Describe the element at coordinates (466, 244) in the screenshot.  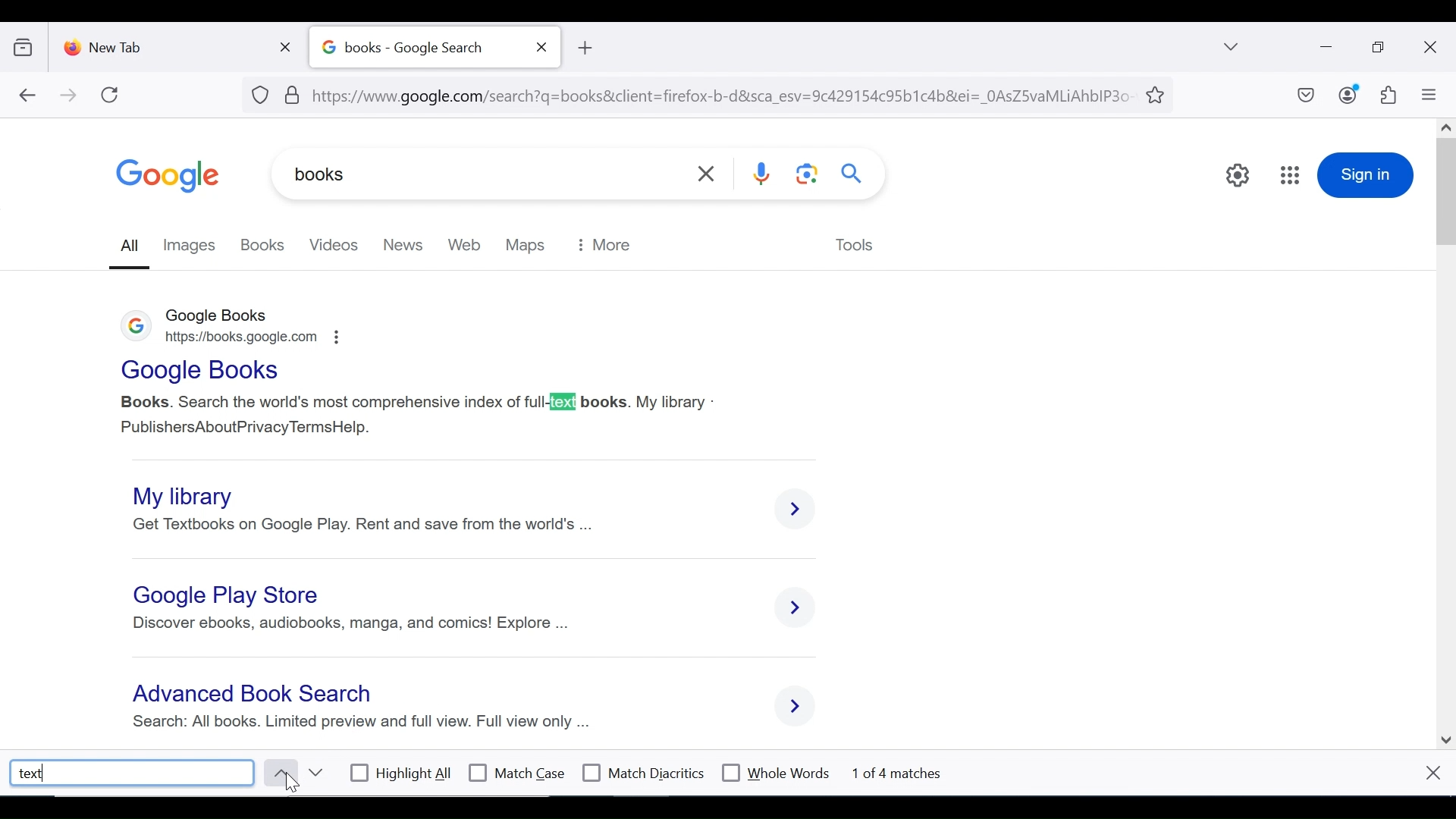
I see `web` at that location.